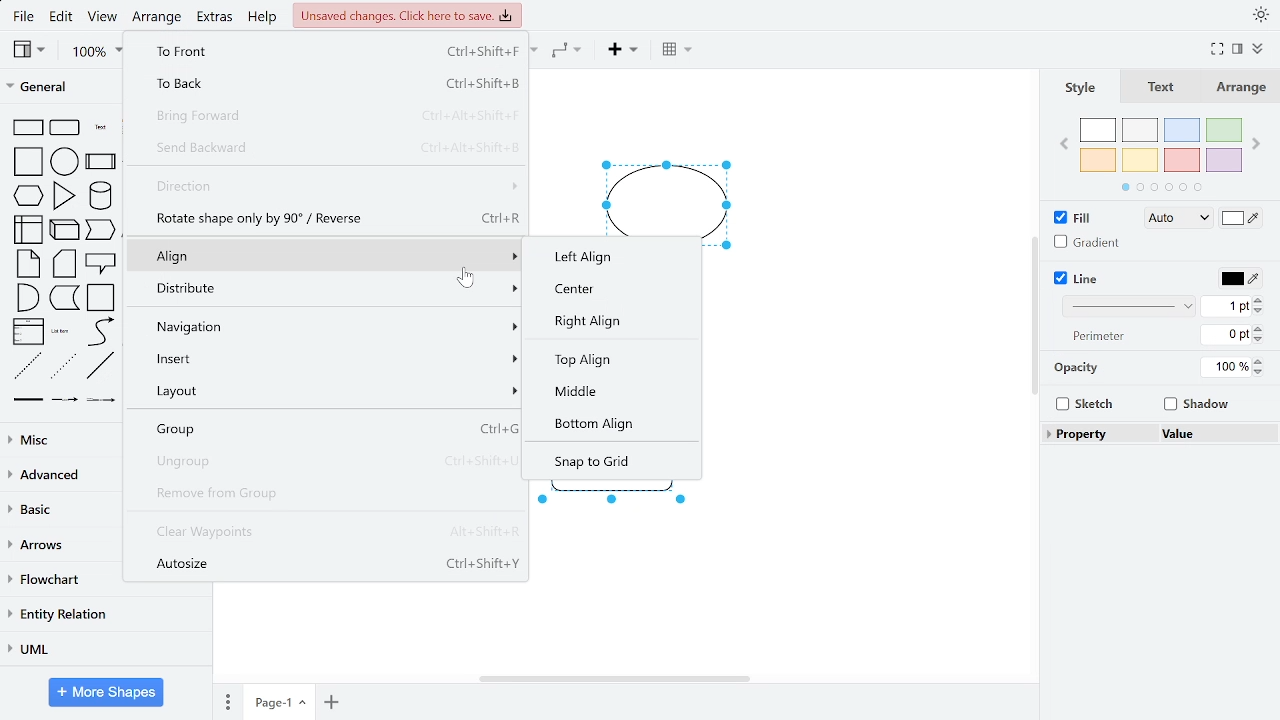 The width and height of the screenshot is (1280, 720). I want to click on to back, so click(332, 83).